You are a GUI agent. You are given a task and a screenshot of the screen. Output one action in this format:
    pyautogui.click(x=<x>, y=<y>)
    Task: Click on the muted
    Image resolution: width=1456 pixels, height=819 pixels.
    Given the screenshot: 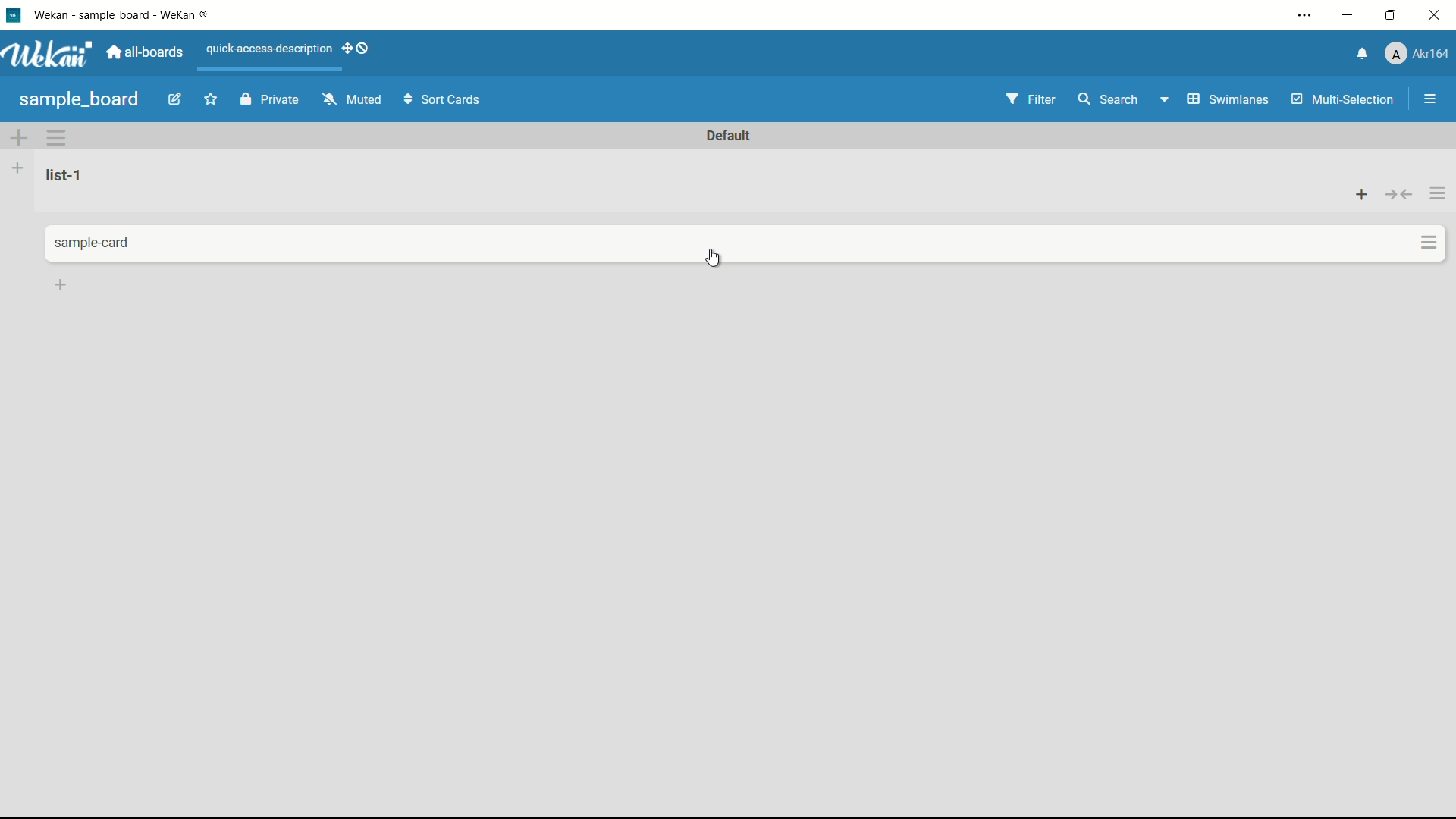 What is the action you would take?
    pyautogui.click(x=350, y=100)
    